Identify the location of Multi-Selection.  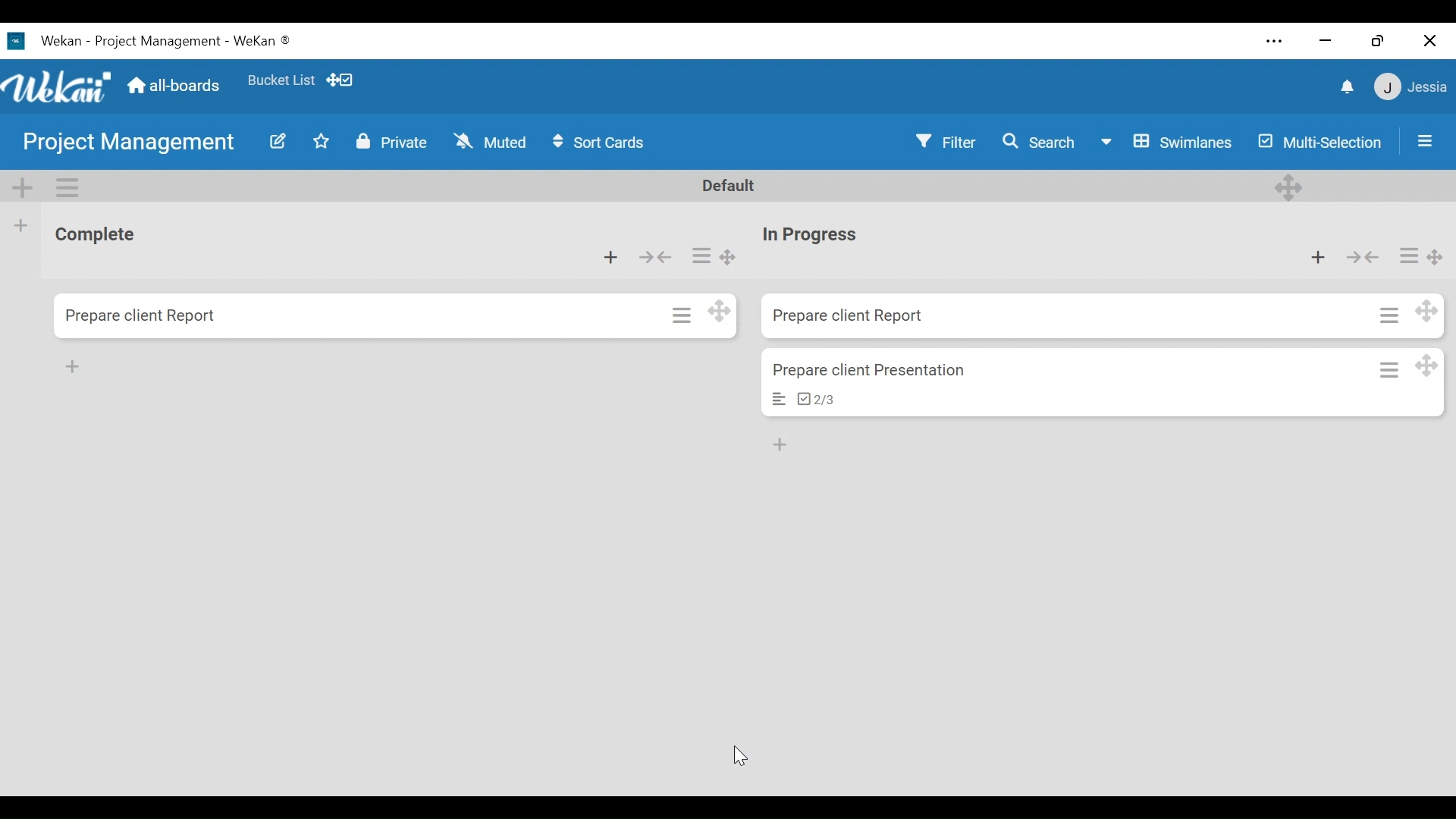
(1323, 141).